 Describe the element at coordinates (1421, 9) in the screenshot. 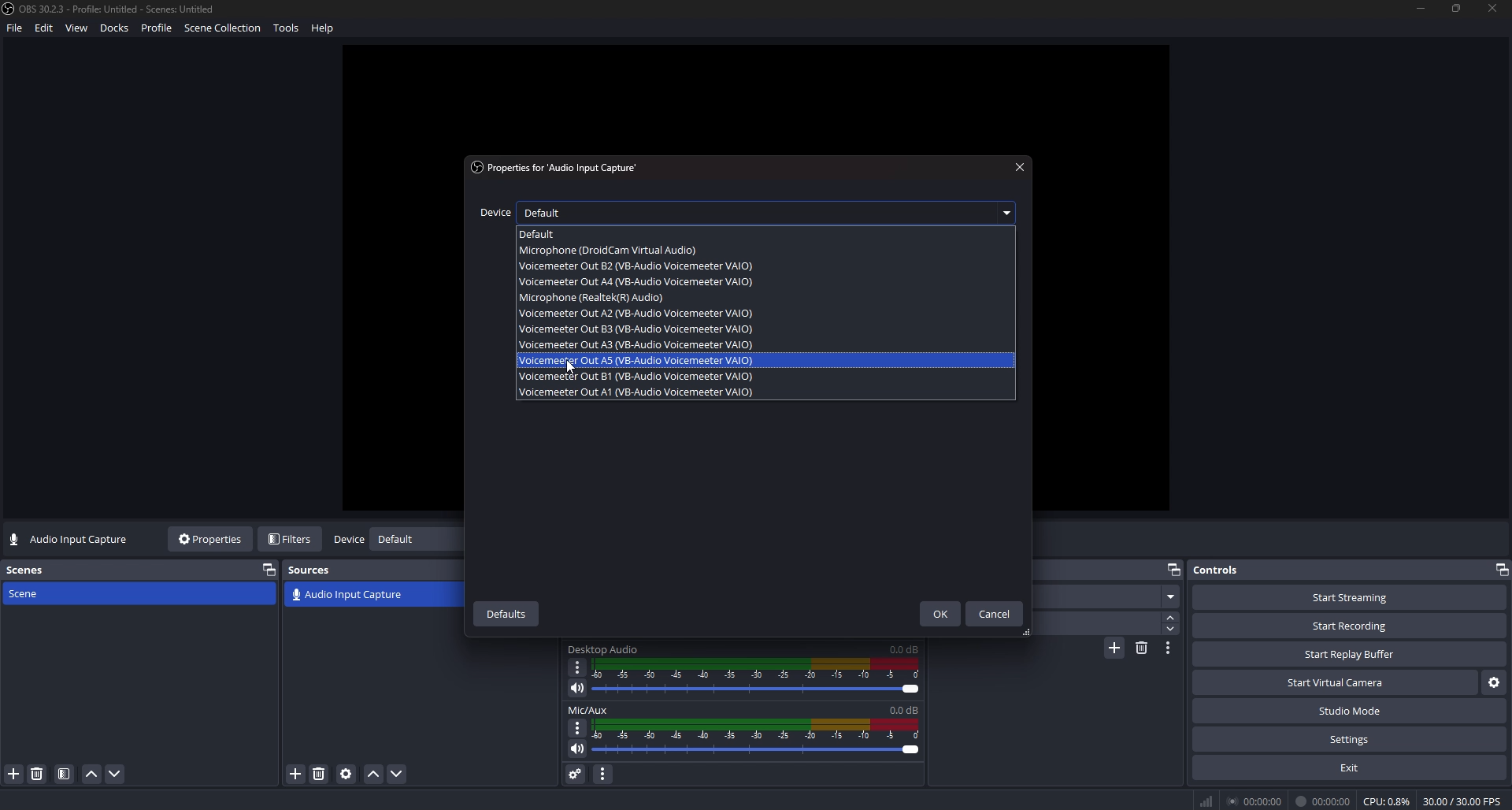

I see `minimize` at that location.